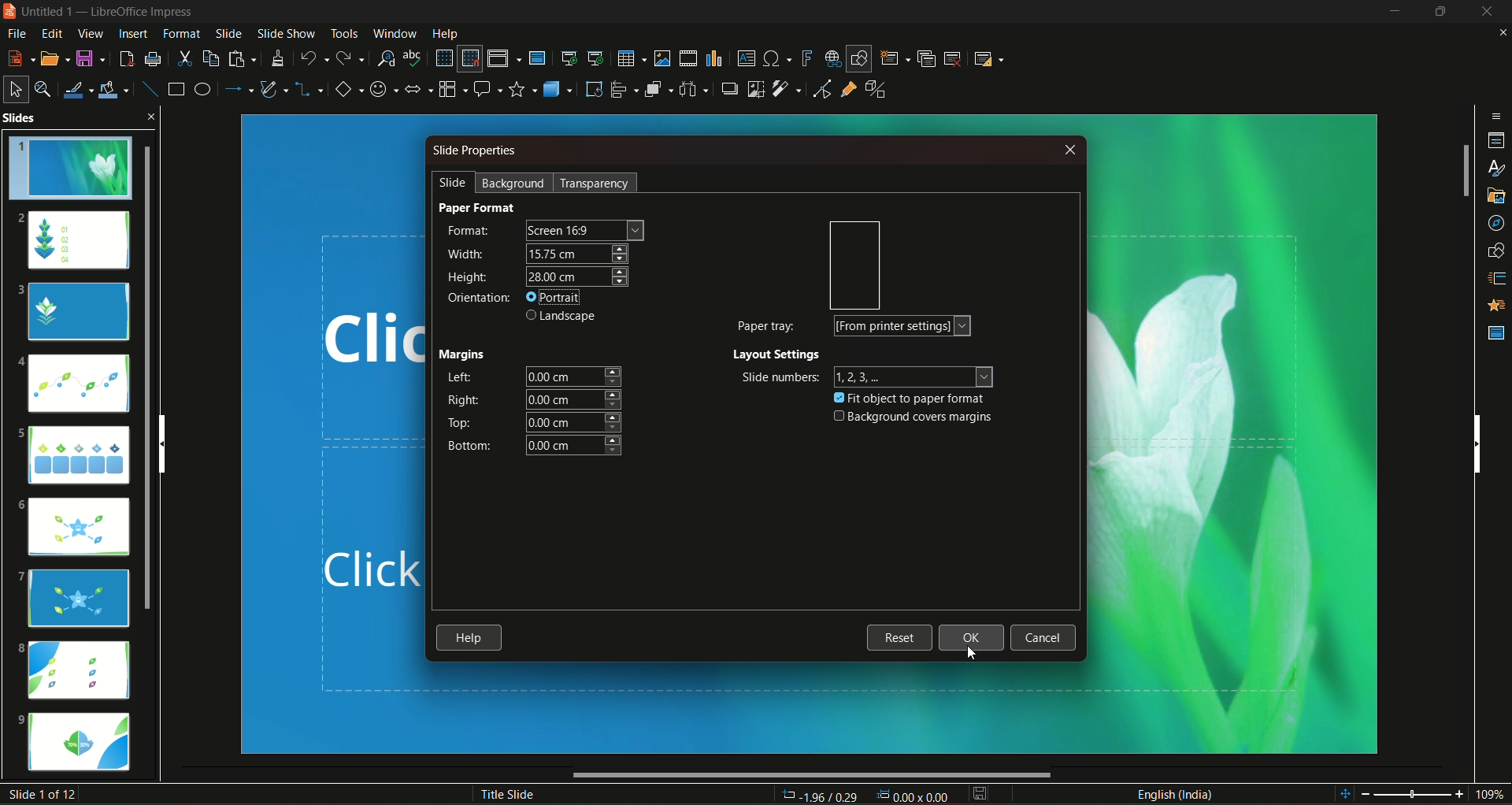  What do you see at coordinates (243, 58) in the screenshot?
I see `paste` at bounding box center [243, 58].